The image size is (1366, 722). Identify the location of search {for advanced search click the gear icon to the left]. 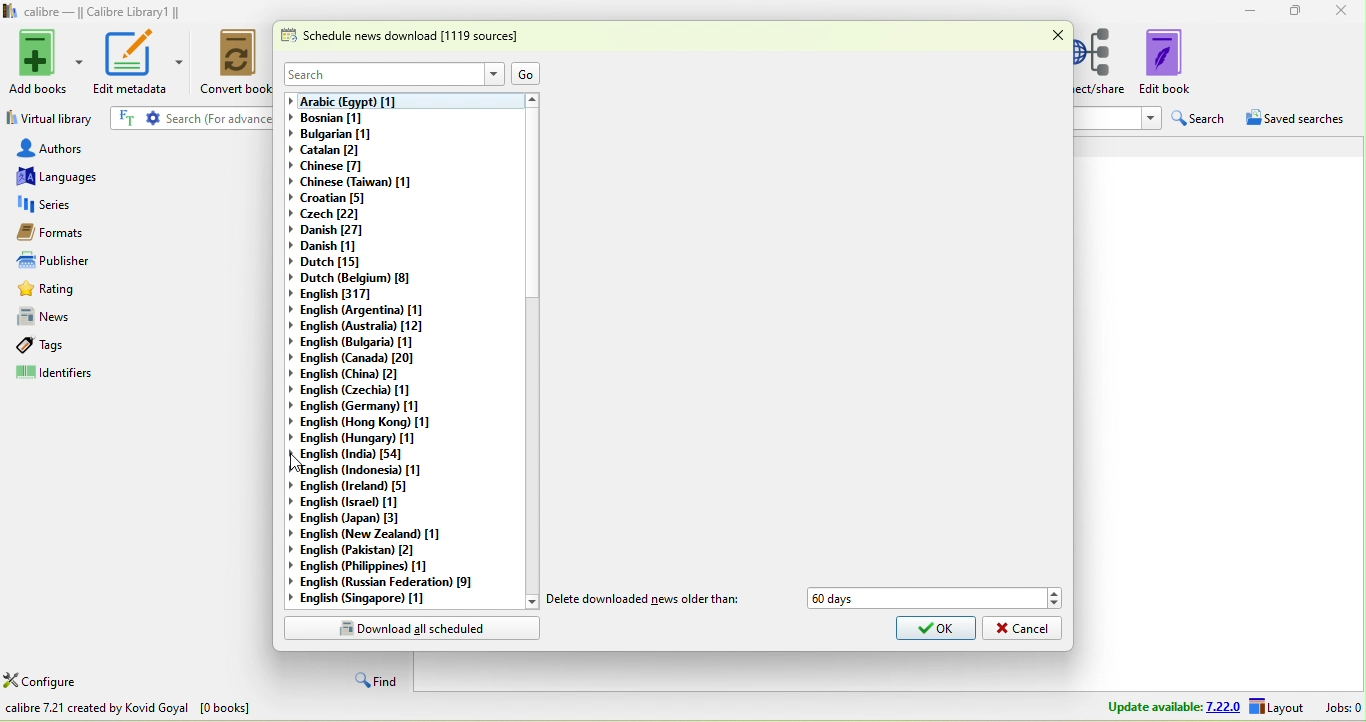
(198, 117).